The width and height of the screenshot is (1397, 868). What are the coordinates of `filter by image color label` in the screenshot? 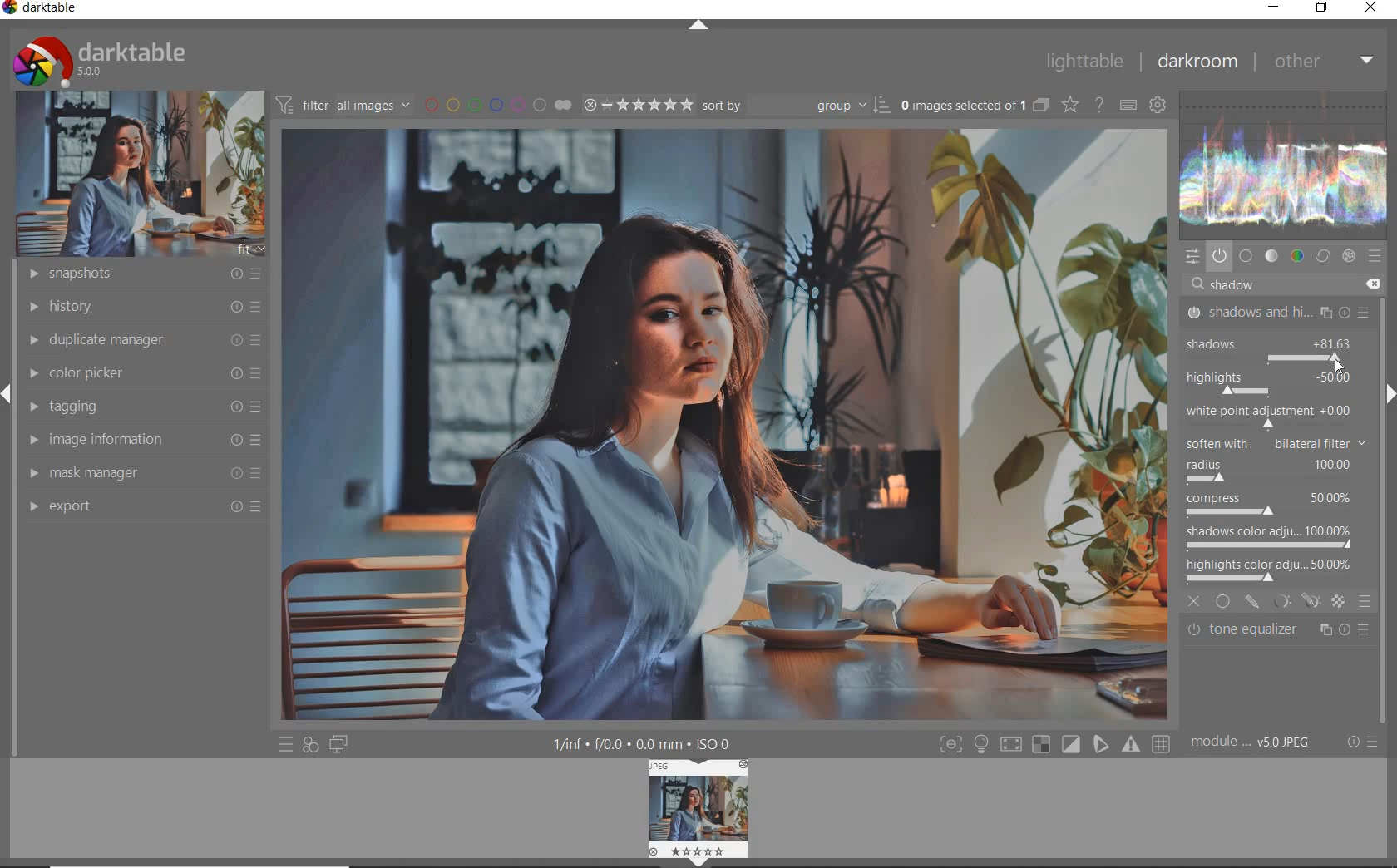 It's located at (496, 103).